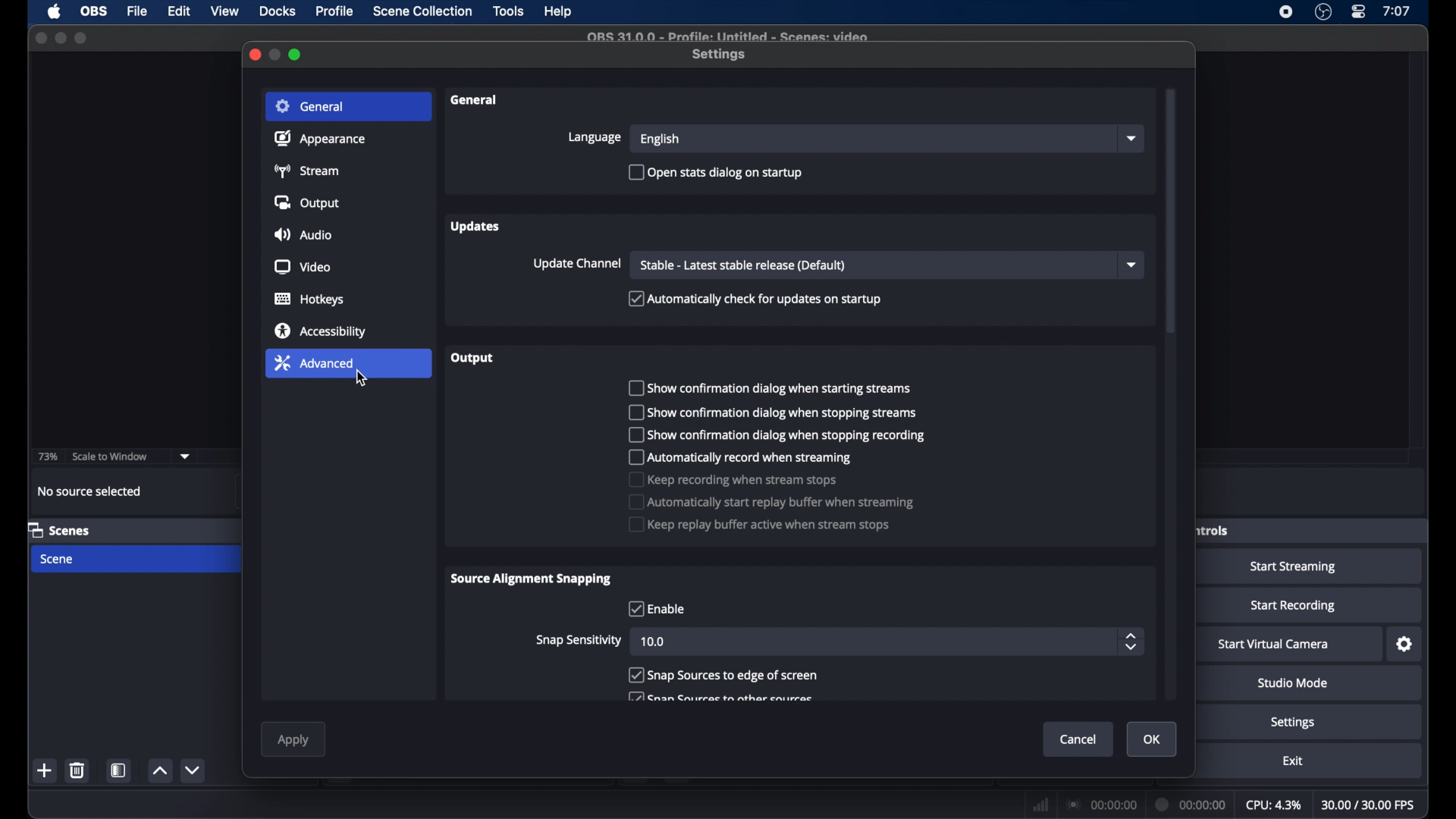 Image resolution: width=1456 pixels, height=819 pixels. Describe the element at coordinates (253, 55) in the screenshot. I see `close` at that location.